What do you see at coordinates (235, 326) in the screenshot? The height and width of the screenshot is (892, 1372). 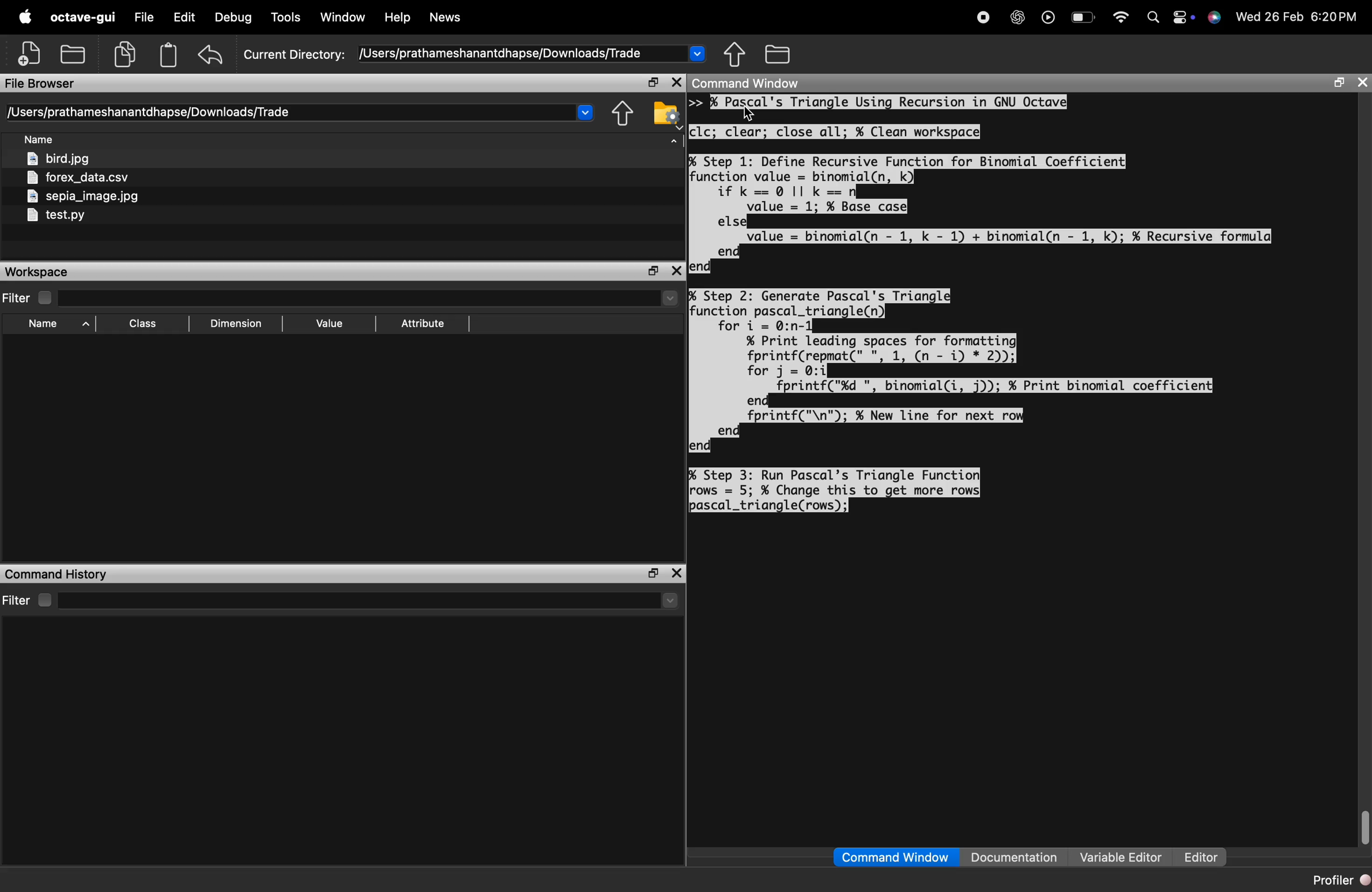 I see `Dimension` at bounding box center [235, 326].